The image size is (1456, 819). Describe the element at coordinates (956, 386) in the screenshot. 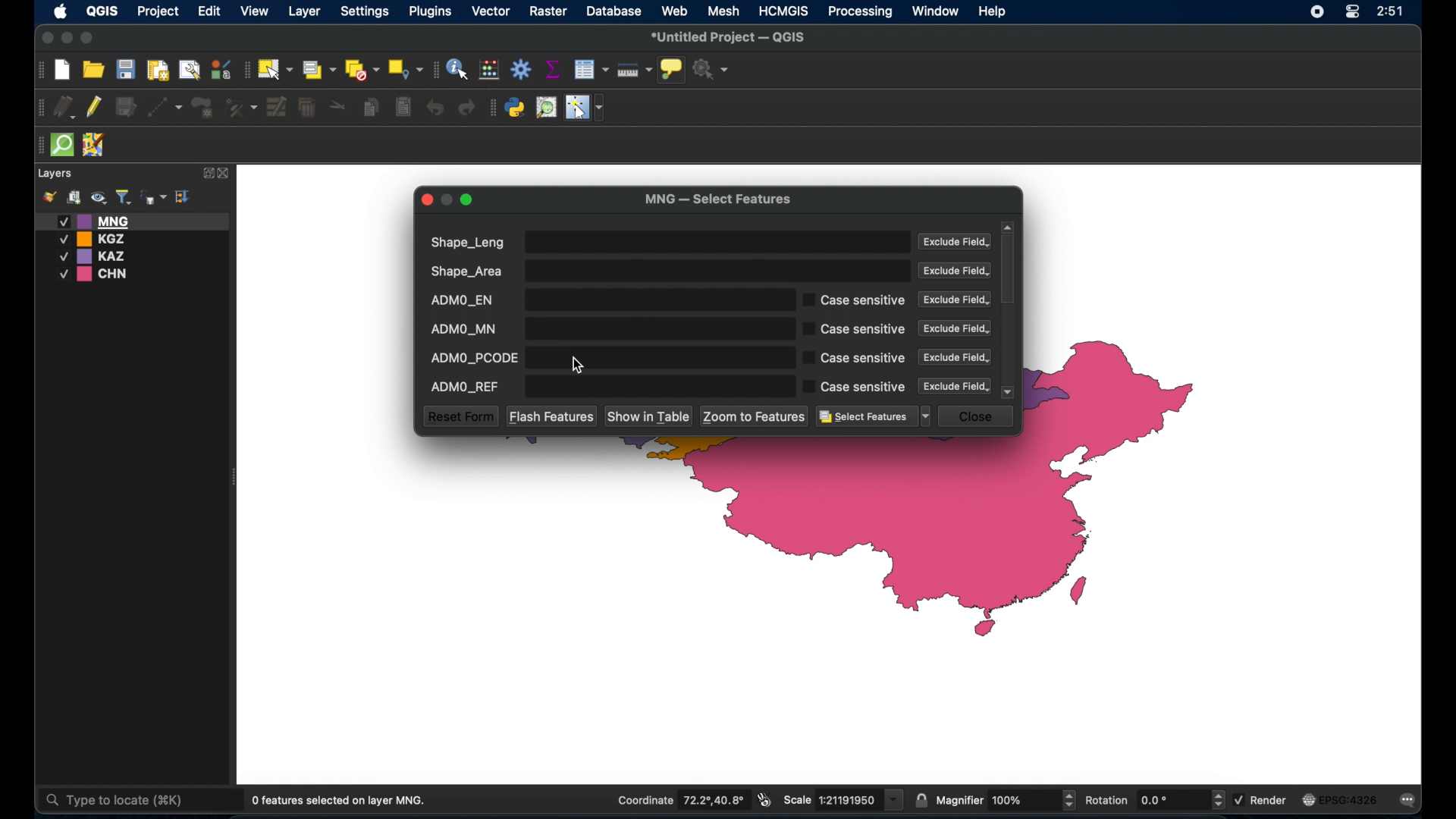

I see `exclude field` at that location.